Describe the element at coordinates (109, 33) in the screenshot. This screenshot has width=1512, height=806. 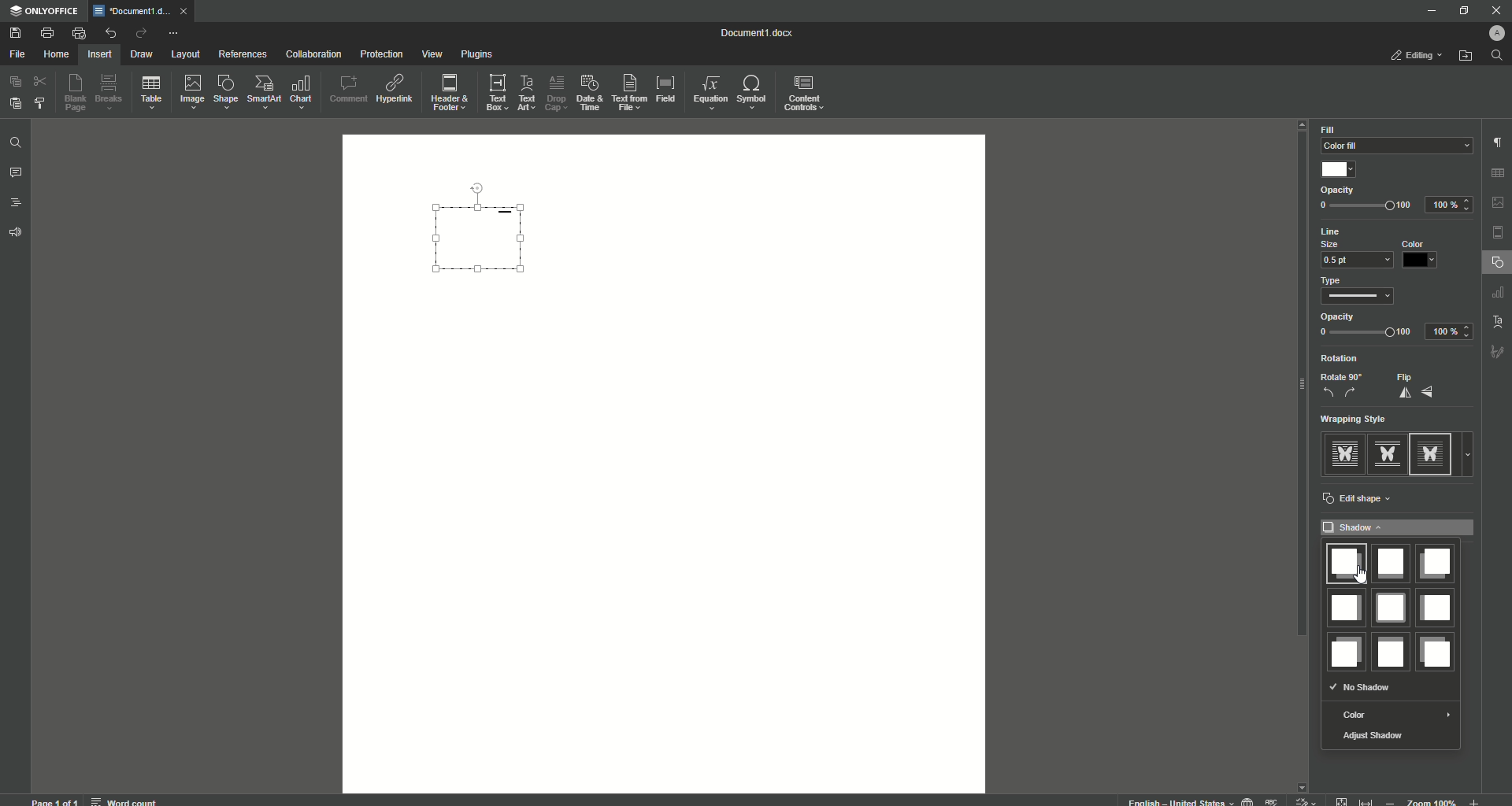
I see `Undo` at that location.